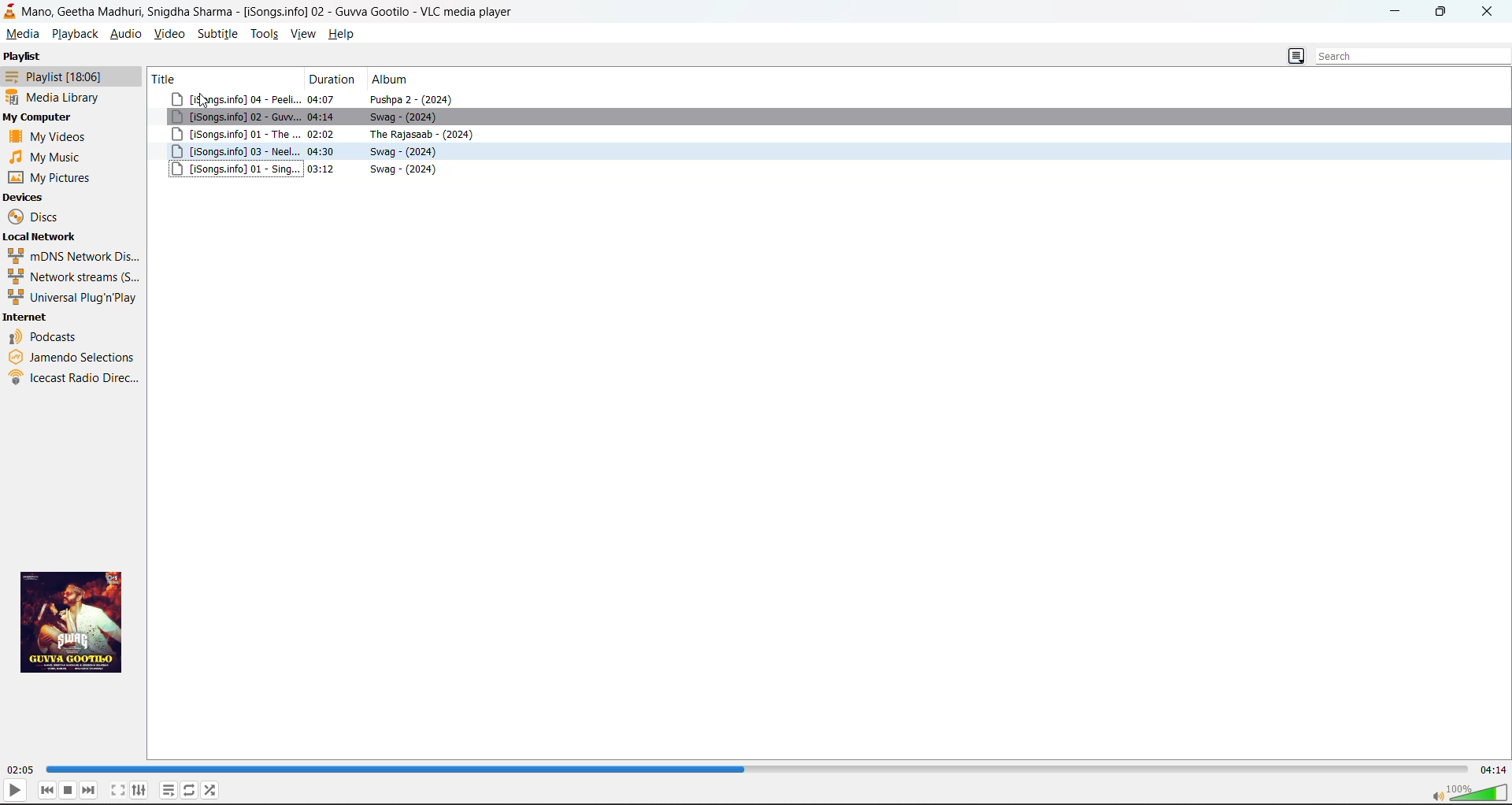 This screenshot has height=805, width=1512. Describe the element at coordinates (211, 789) in the screenshot. I see `random` at that location.